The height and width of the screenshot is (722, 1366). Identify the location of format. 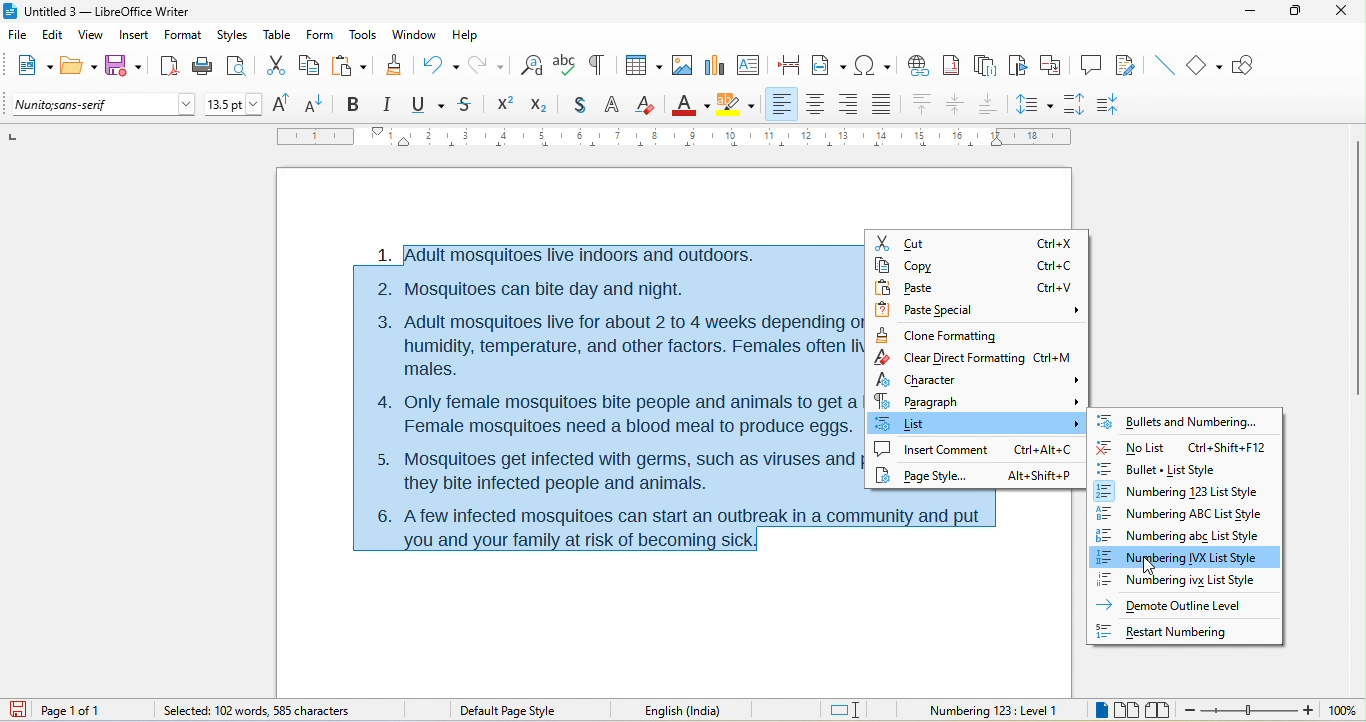
(184, 36).